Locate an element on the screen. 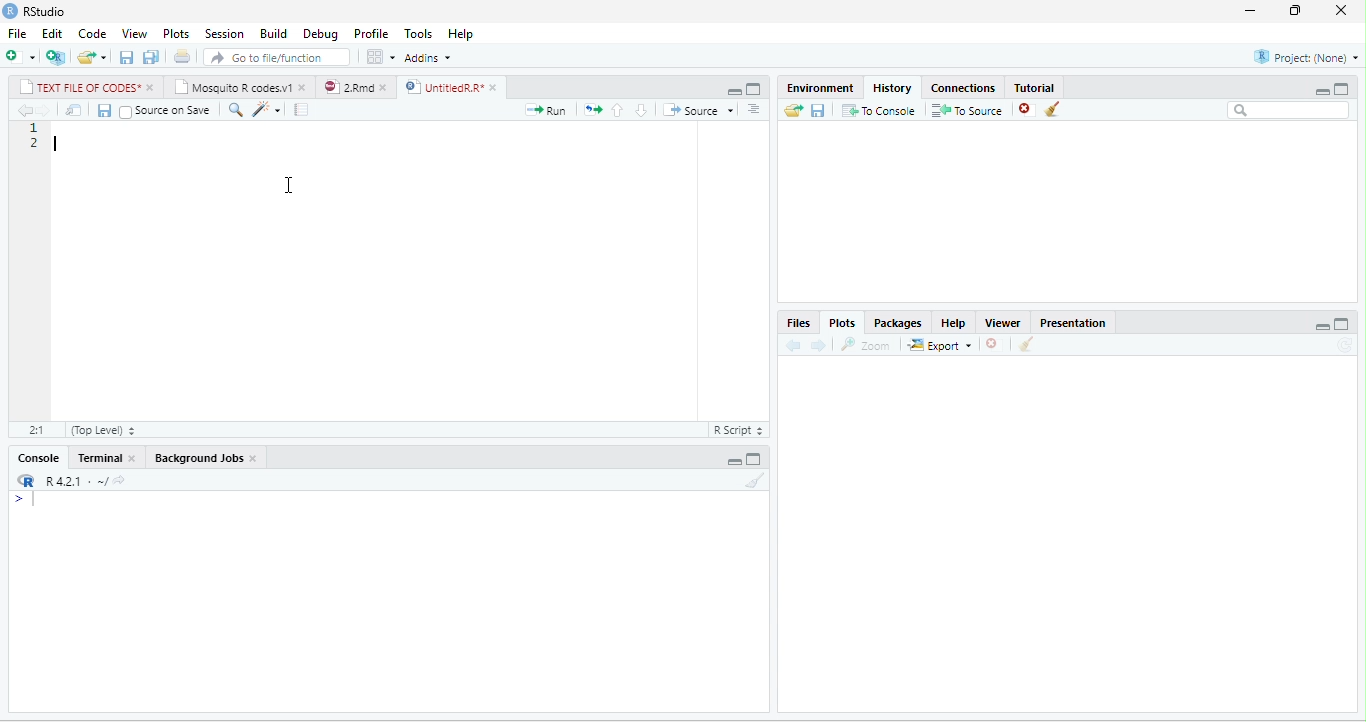 The width and height of the screenshot is (1366, 722). 2:1 is located at coordinates (37, 430).